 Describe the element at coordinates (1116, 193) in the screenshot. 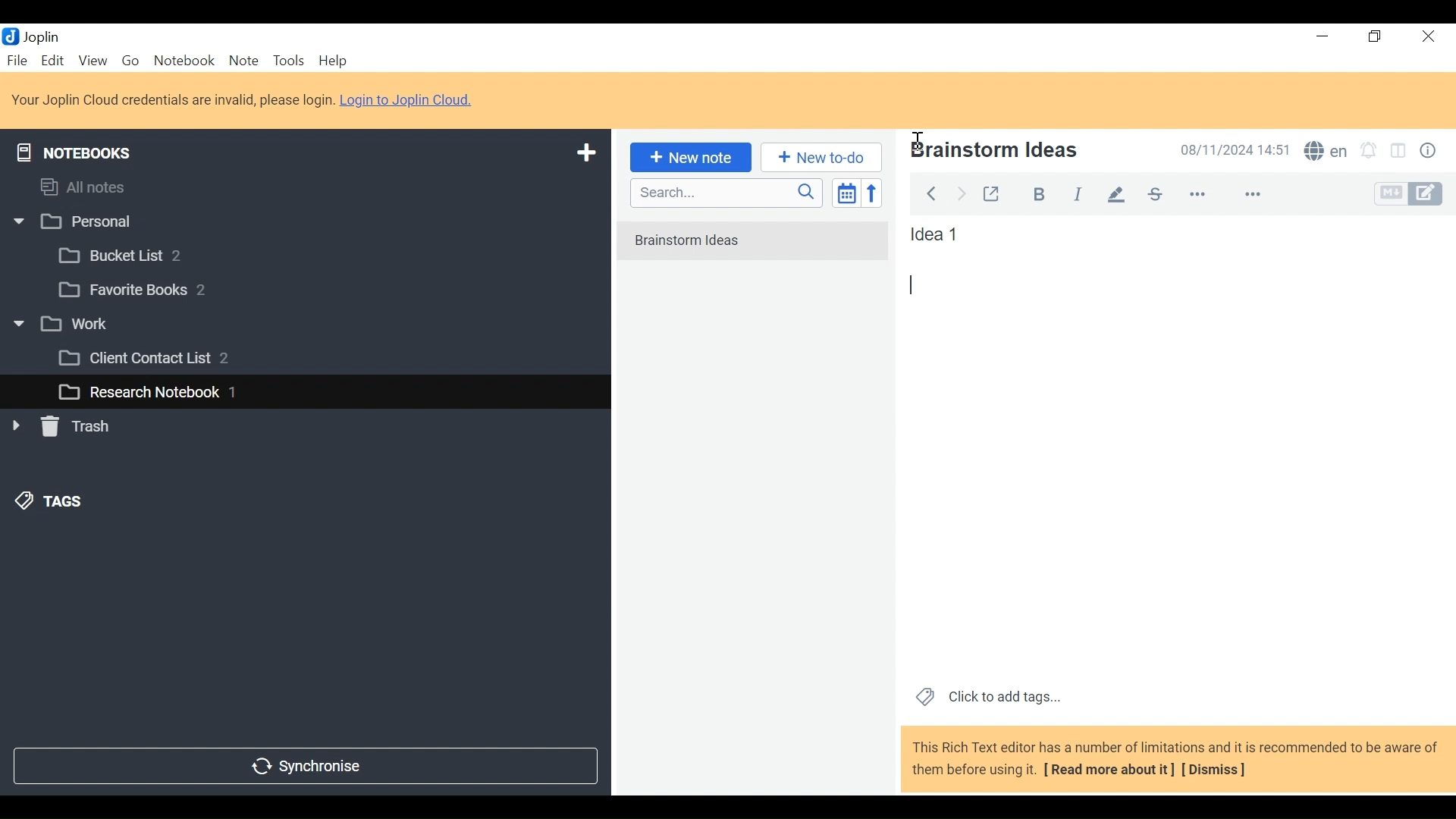

I see `pen` at that location.